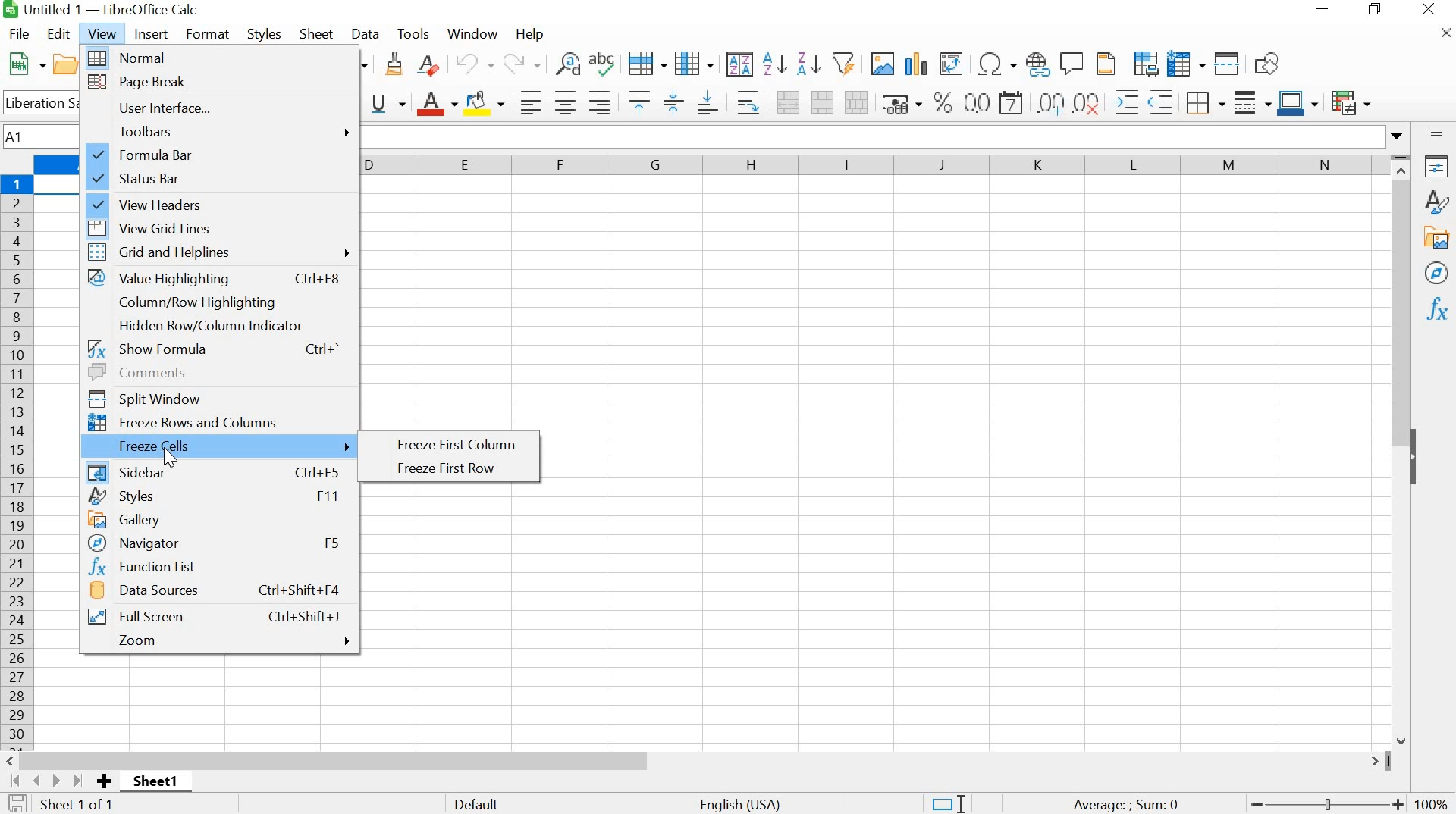 This screenshot has height=814, width=1456. What do you see at coordinates (218, 279) in the screenshot?
I see `VALUE HIGHLIGHTING` at bounding box center [218, 279].